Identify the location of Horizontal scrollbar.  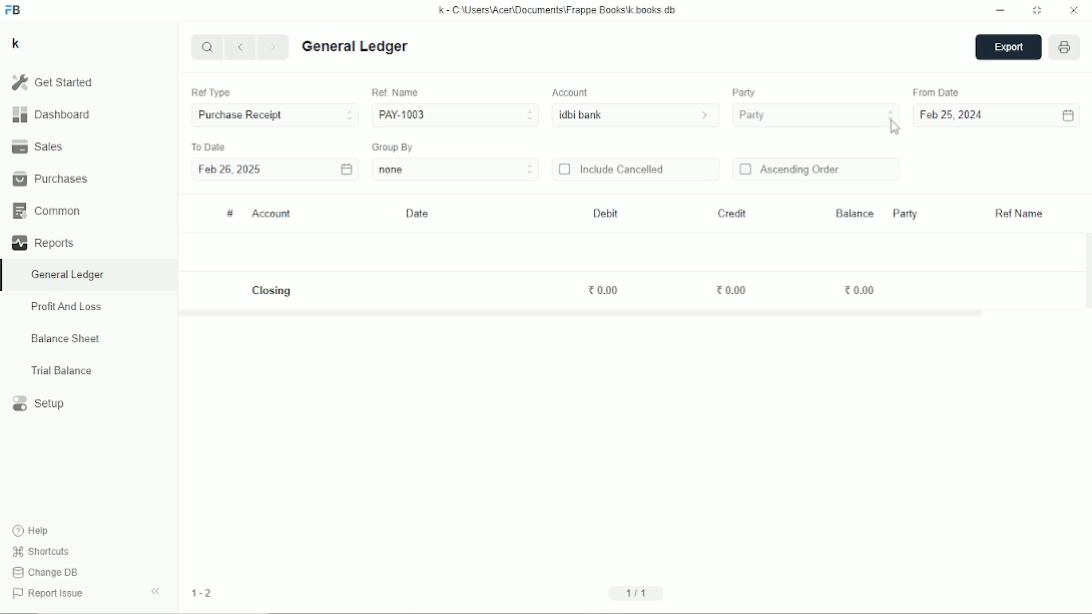
(582, 314).